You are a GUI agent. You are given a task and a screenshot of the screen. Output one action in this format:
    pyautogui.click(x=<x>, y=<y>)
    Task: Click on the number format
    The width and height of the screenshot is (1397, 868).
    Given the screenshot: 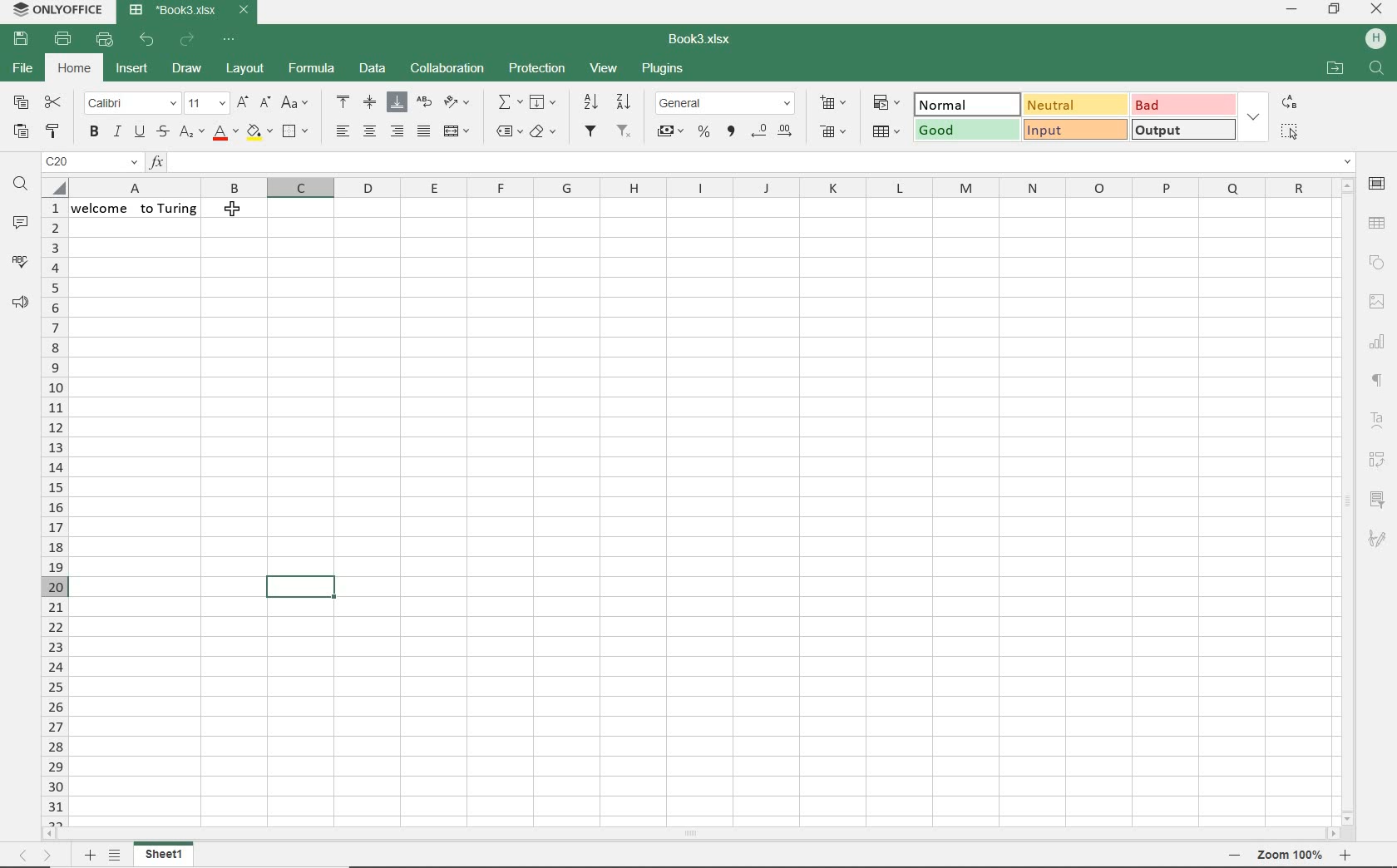 What is the action you would take?
    pyautogui.click(x=725, y=105)
    